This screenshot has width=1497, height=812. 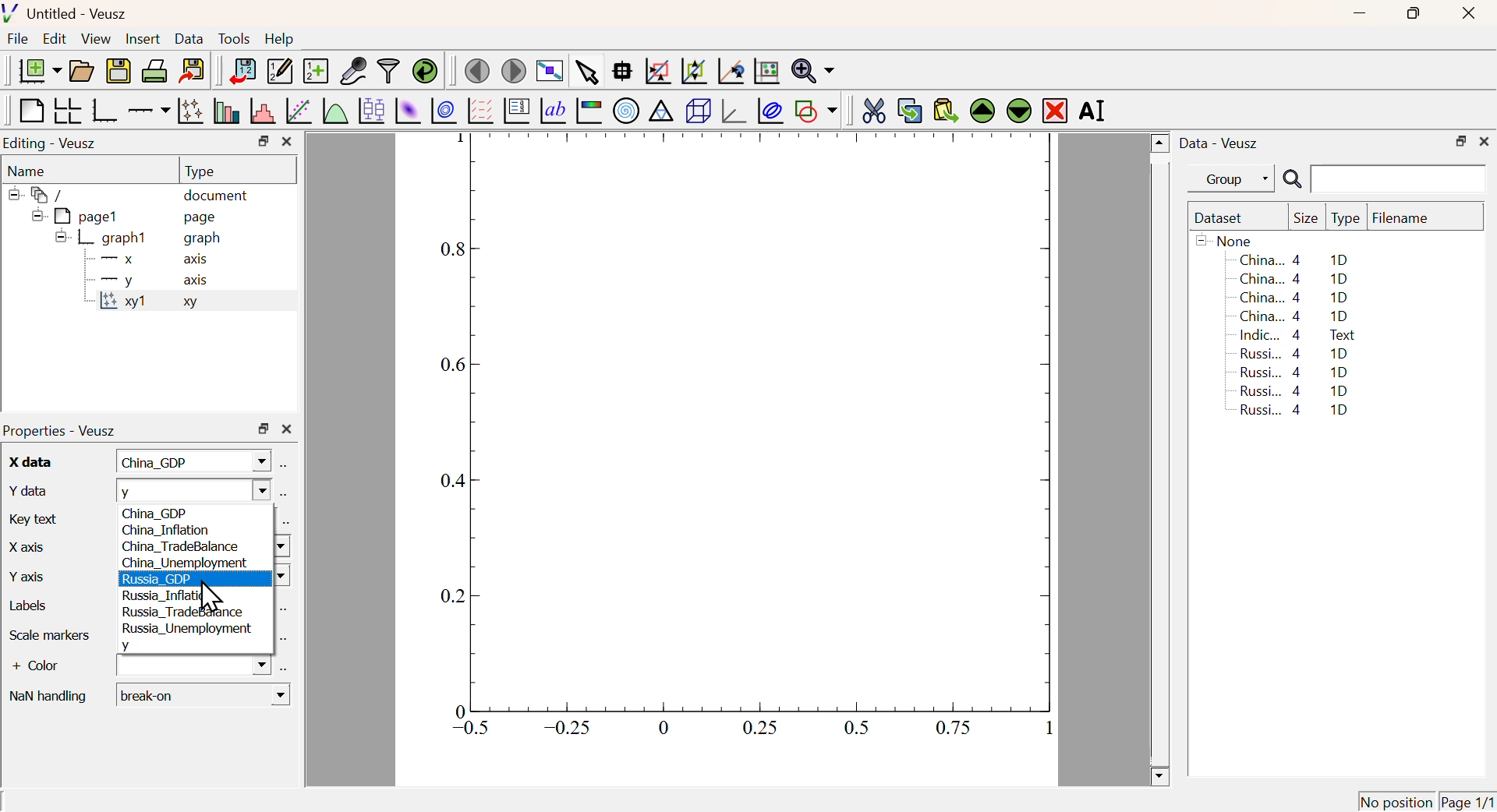 What do you see at coordinates (1294, 259) in the screenshot?
I see `China... 4 1D` at bounding box center [1294, 259].